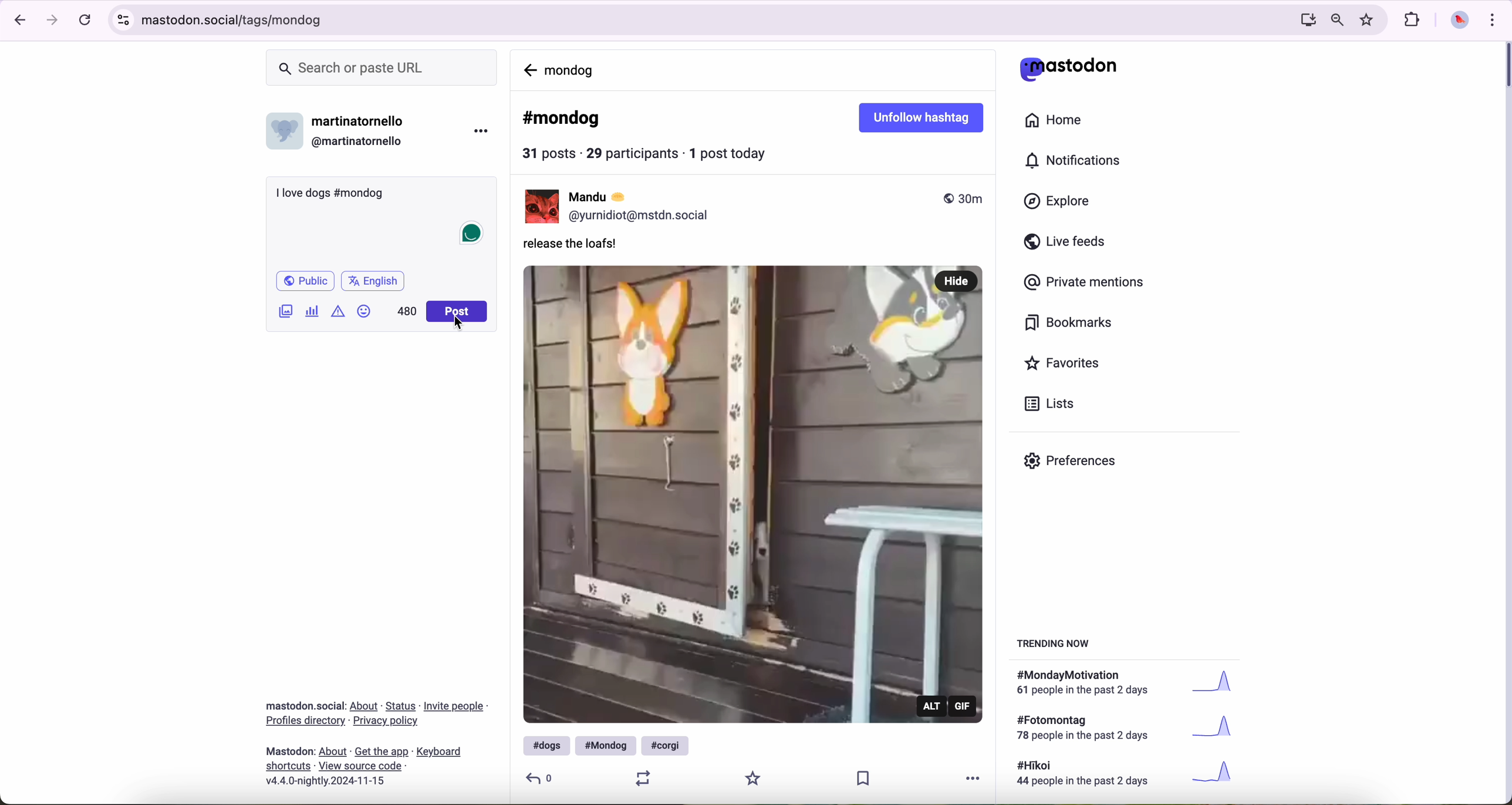 This screenshot has width=1512, height=805. What do you see at coordinates (361, 142) in the screenshot?
I see `user id` at bounding box center [361, 142].